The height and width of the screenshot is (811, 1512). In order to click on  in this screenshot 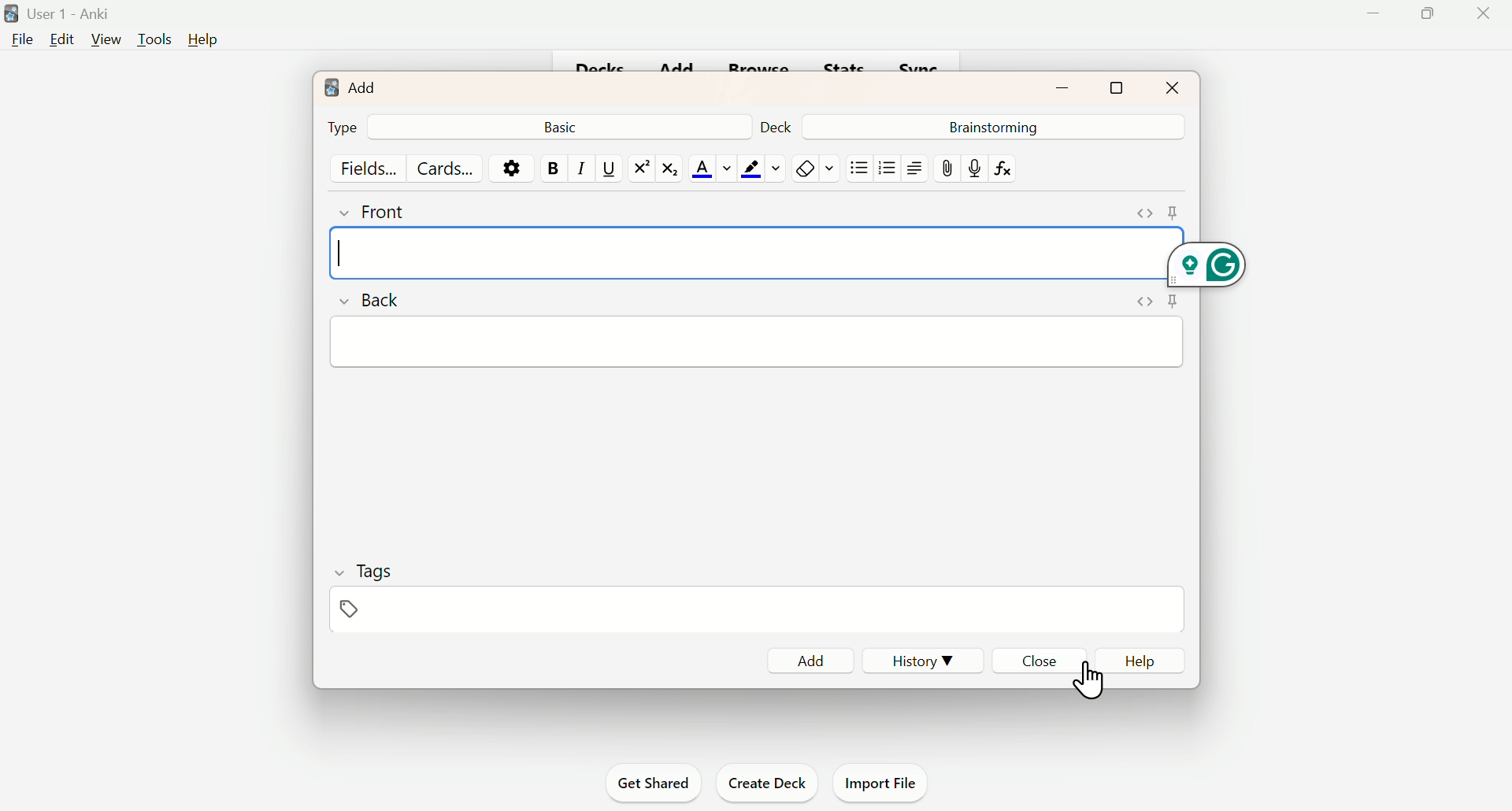, I will do `click(151, 36)`.